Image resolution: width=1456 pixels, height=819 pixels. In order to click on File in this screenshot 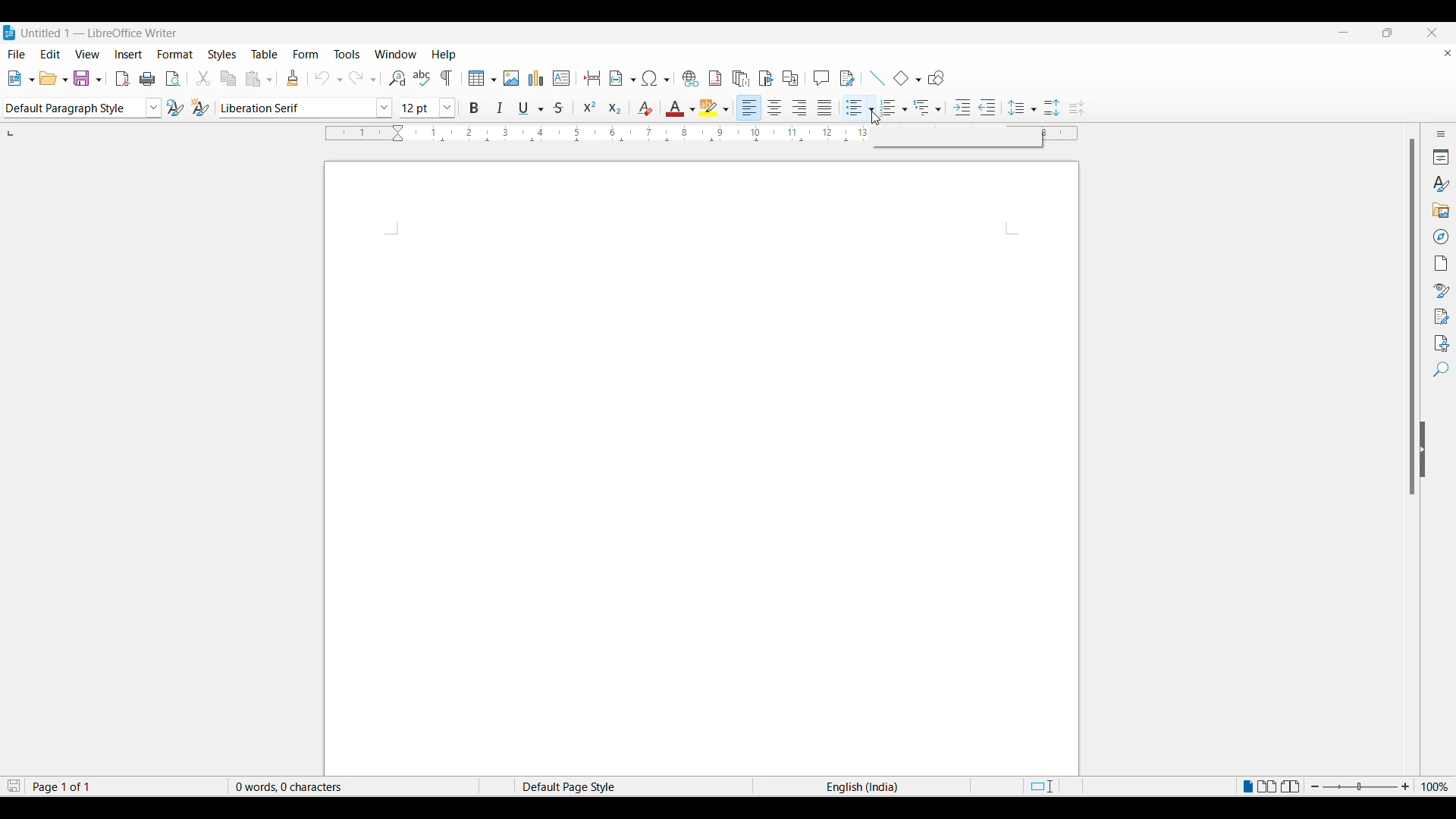, I will do `click(17, 53)`.